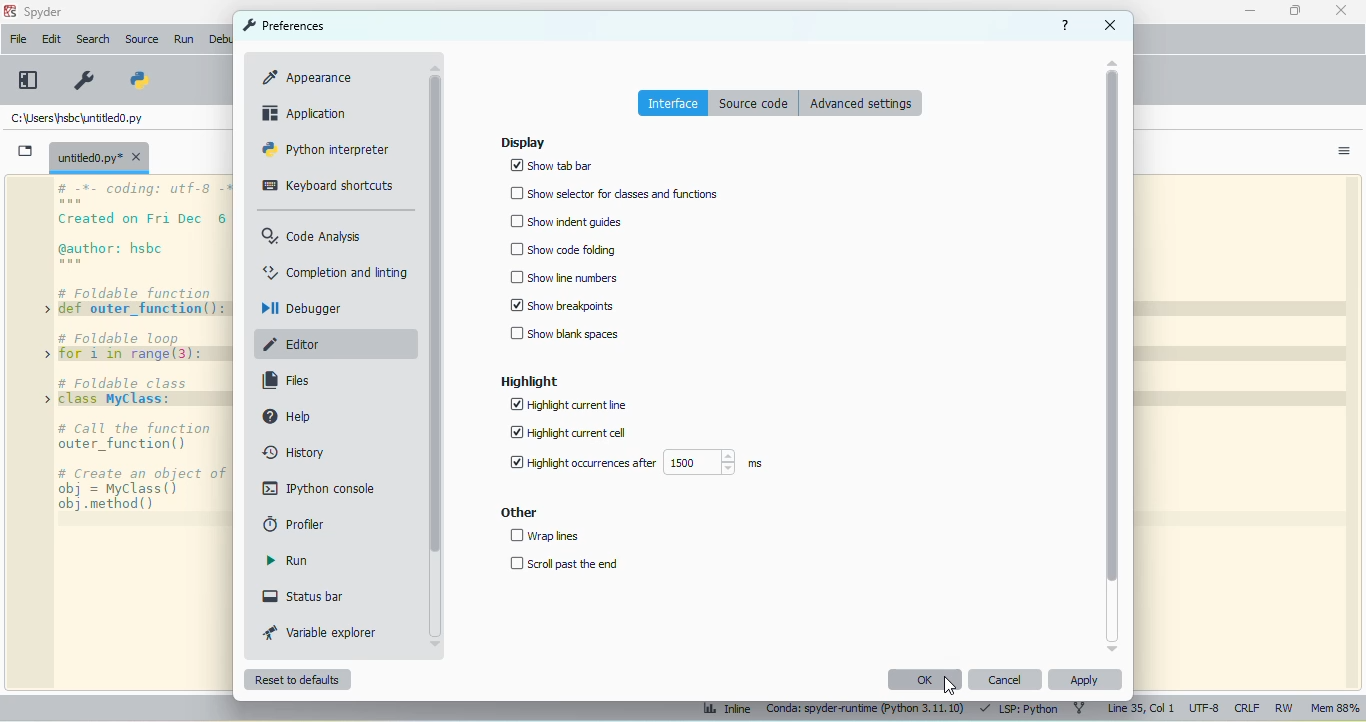 This screenshot has height=722, width=1366. Describe the element at coordinates (613, 193) in the screenshot. I see `show selector for classes and functions` at that location.